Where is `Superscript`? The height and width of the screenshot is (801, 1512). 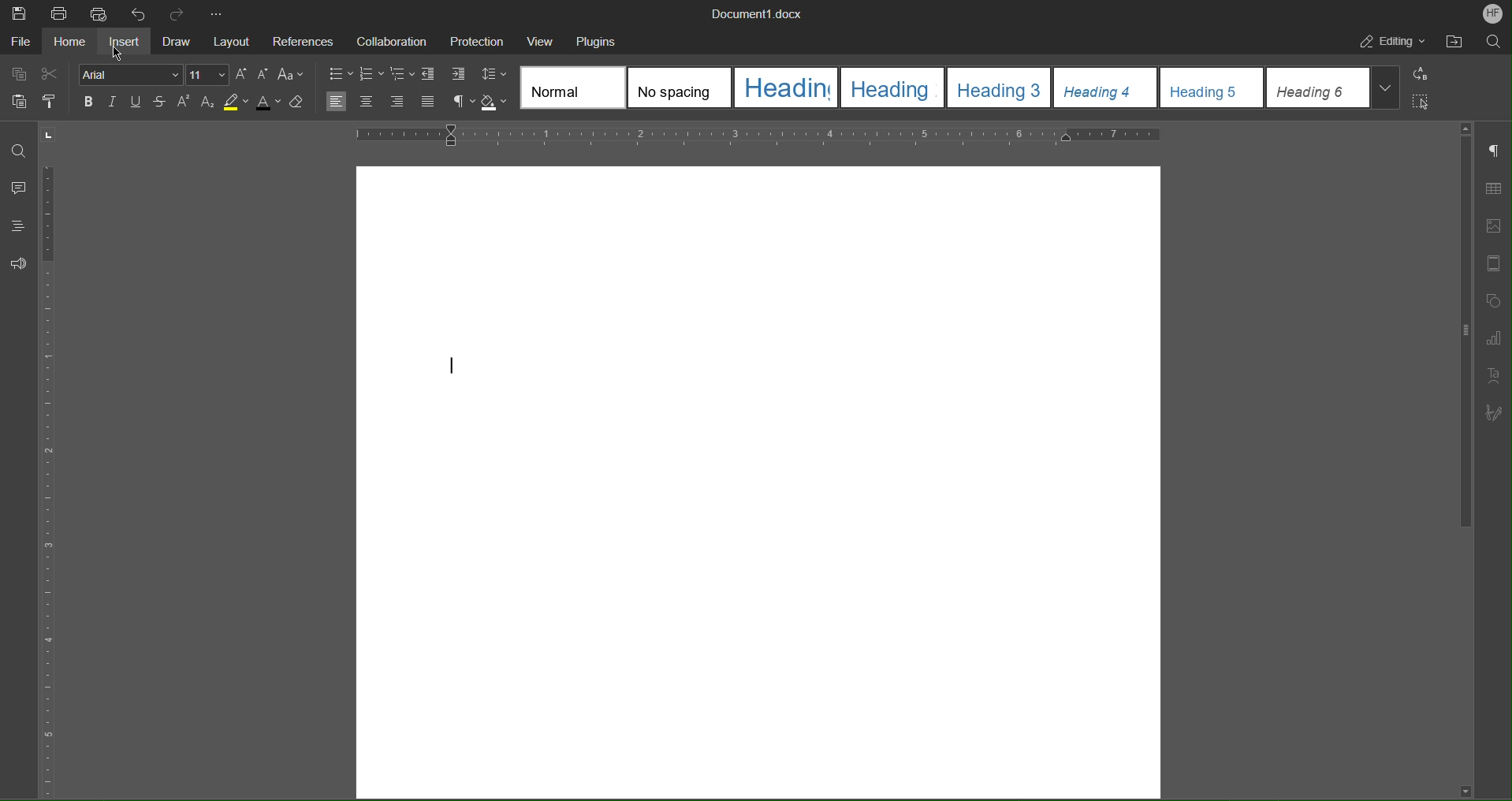 Superscript is located at coordinates (182, 102).